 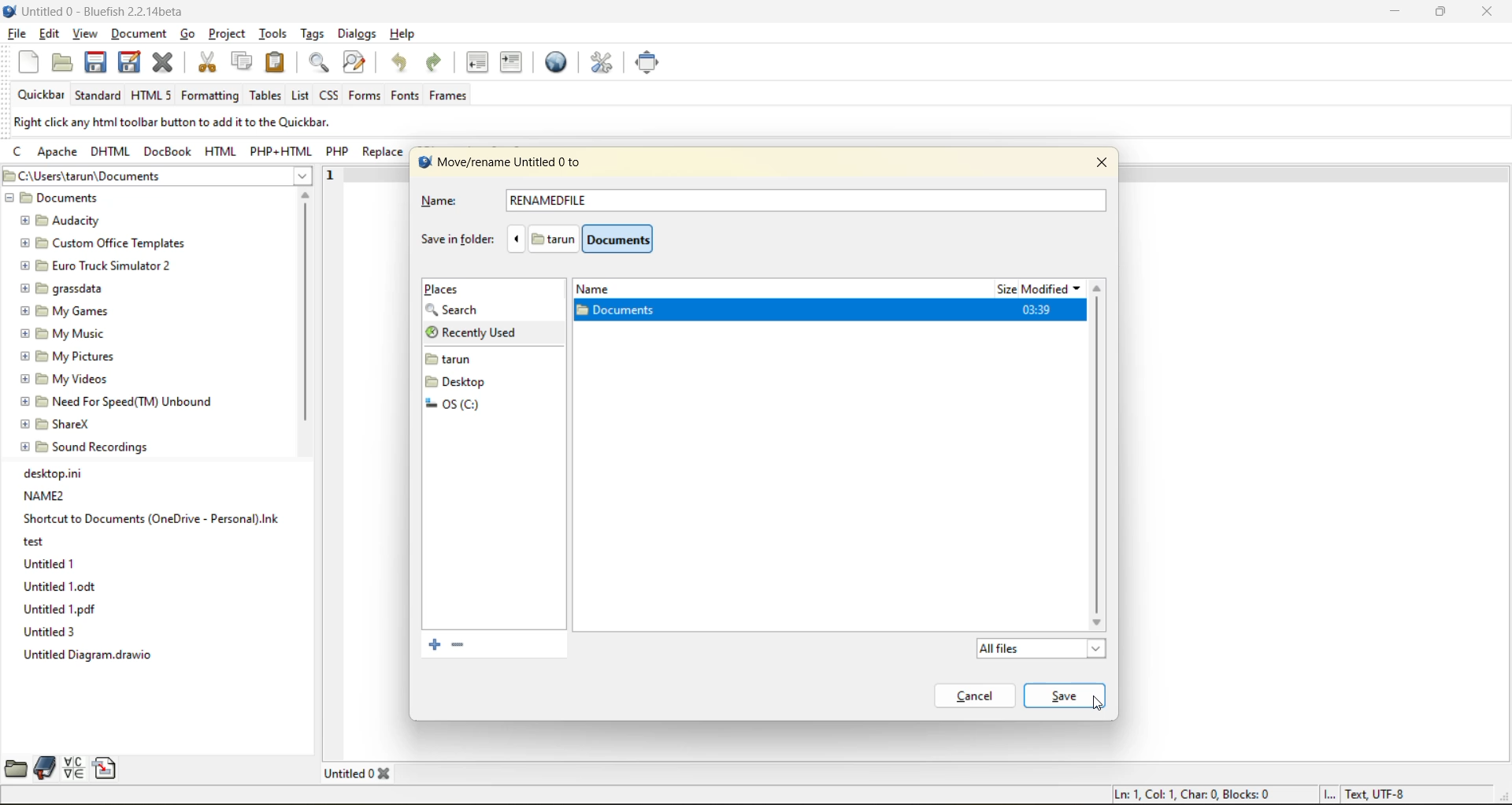 I want to click on dialogs, so click(x=358, y=36).